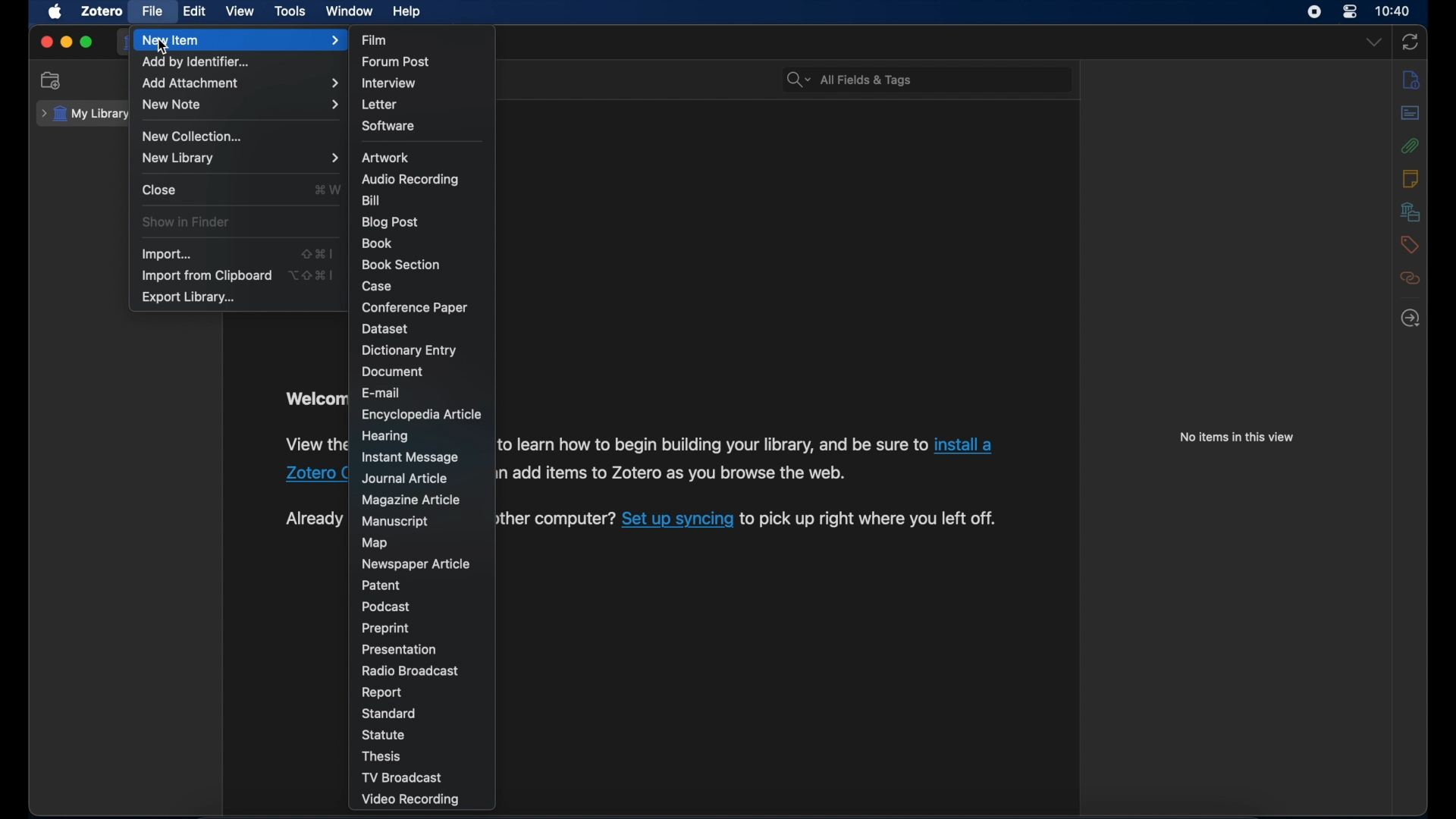 The image size is (1456, 819). Describe the element at coordinates (290, 11) in the screenshot. I see `tools` at that location.